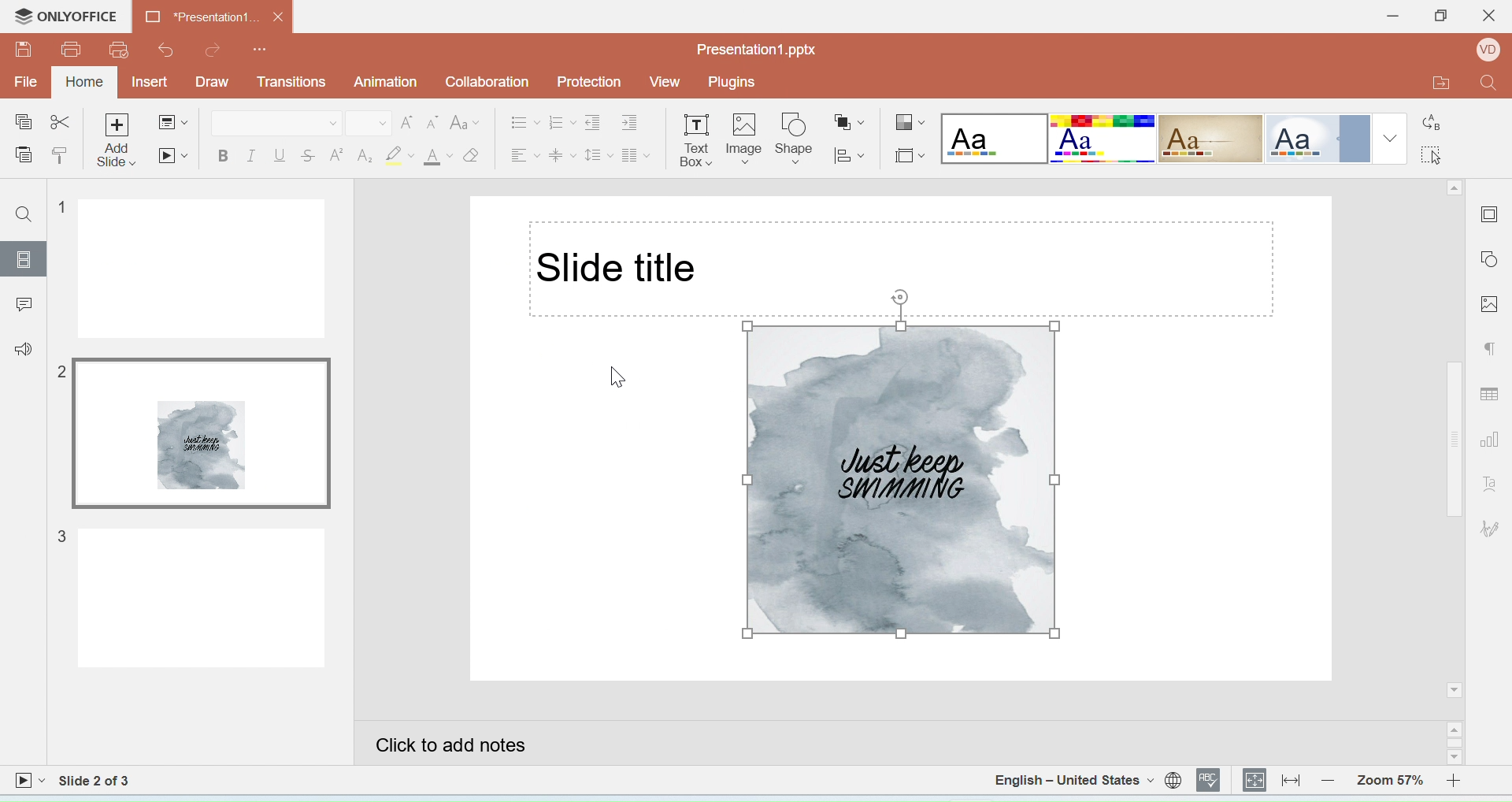 This screenshot has height=802, width=1512. What do you see at coordinates (23, 156) in the screenshot?
I see `Paste` at bounding box center [23, 156].